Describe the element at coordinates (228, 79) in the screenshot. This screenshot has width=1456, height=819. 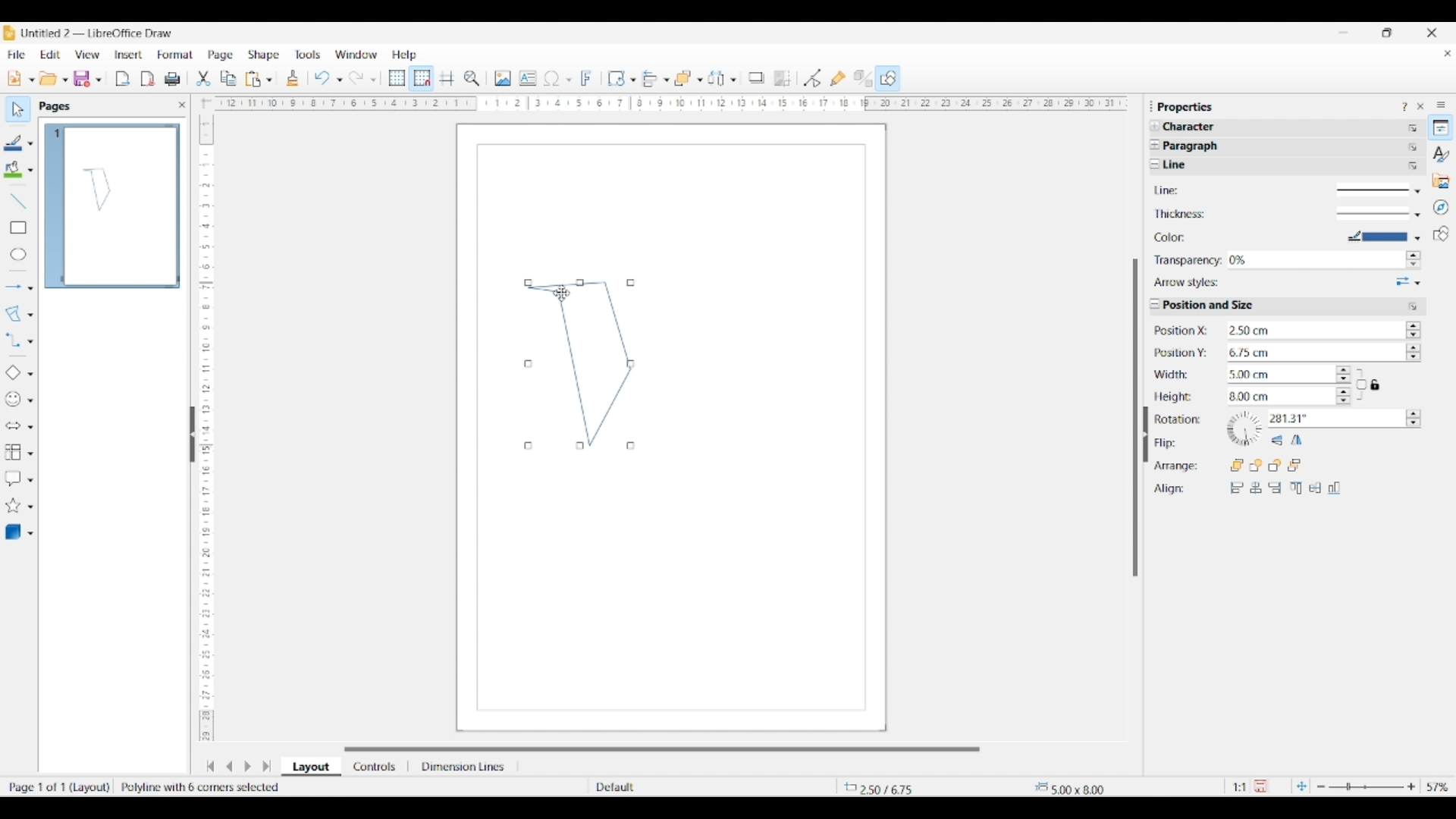
I see `Selected copy options` at that location.